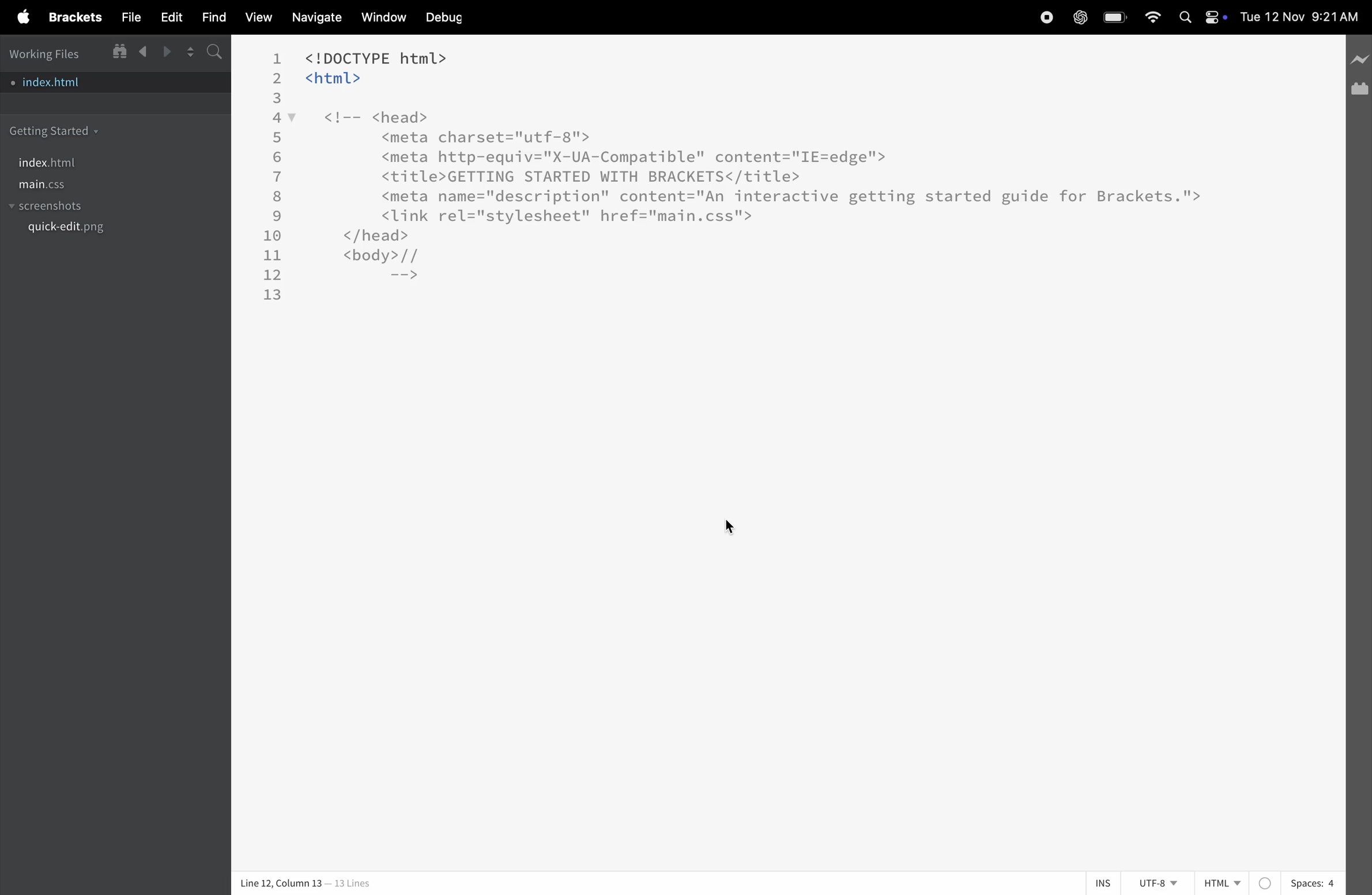  I want to click on window, so click(382, 17).